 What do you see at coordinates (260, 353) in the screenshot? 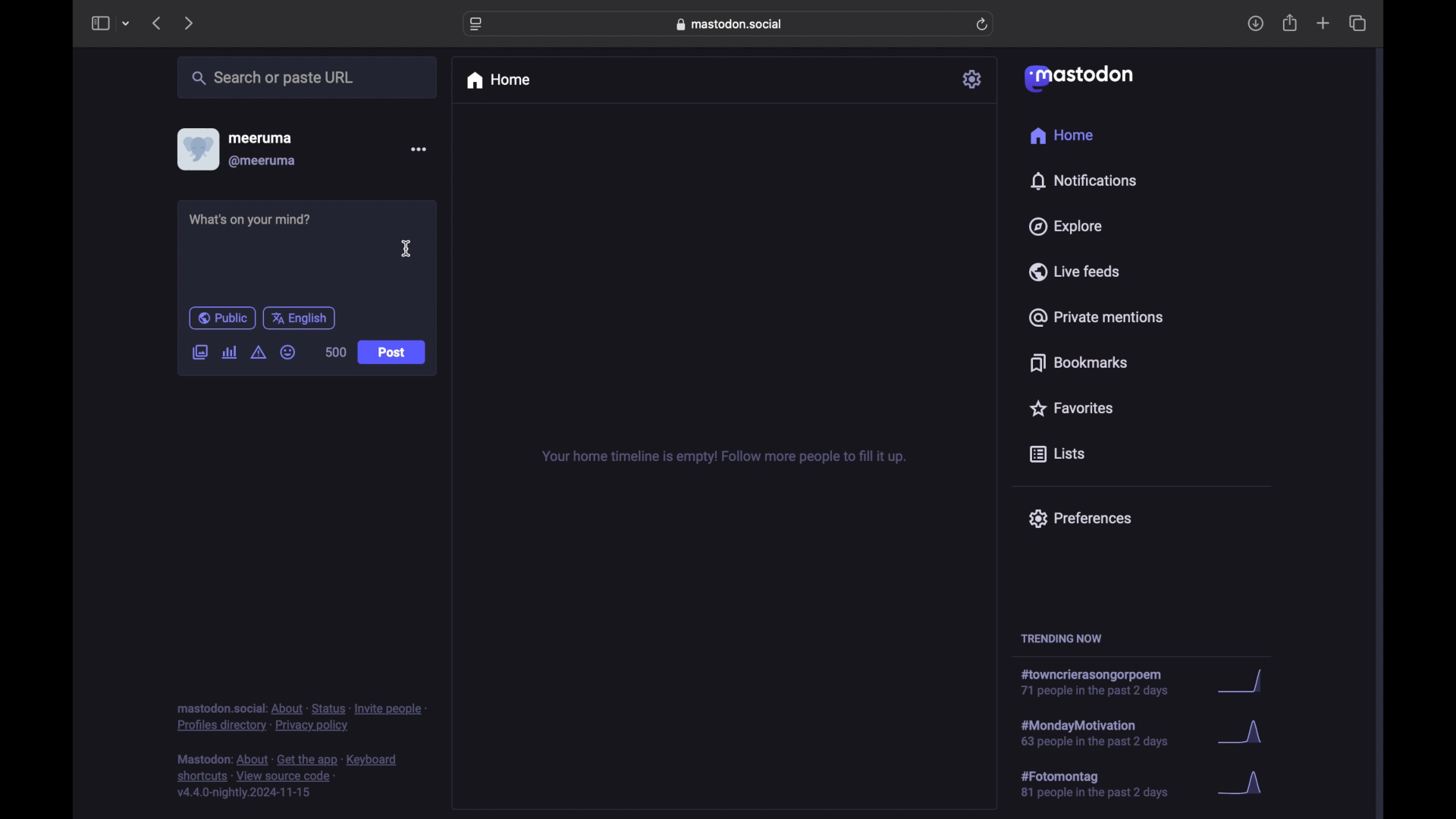
I see `add content warning` at bounding box center [260, 353].